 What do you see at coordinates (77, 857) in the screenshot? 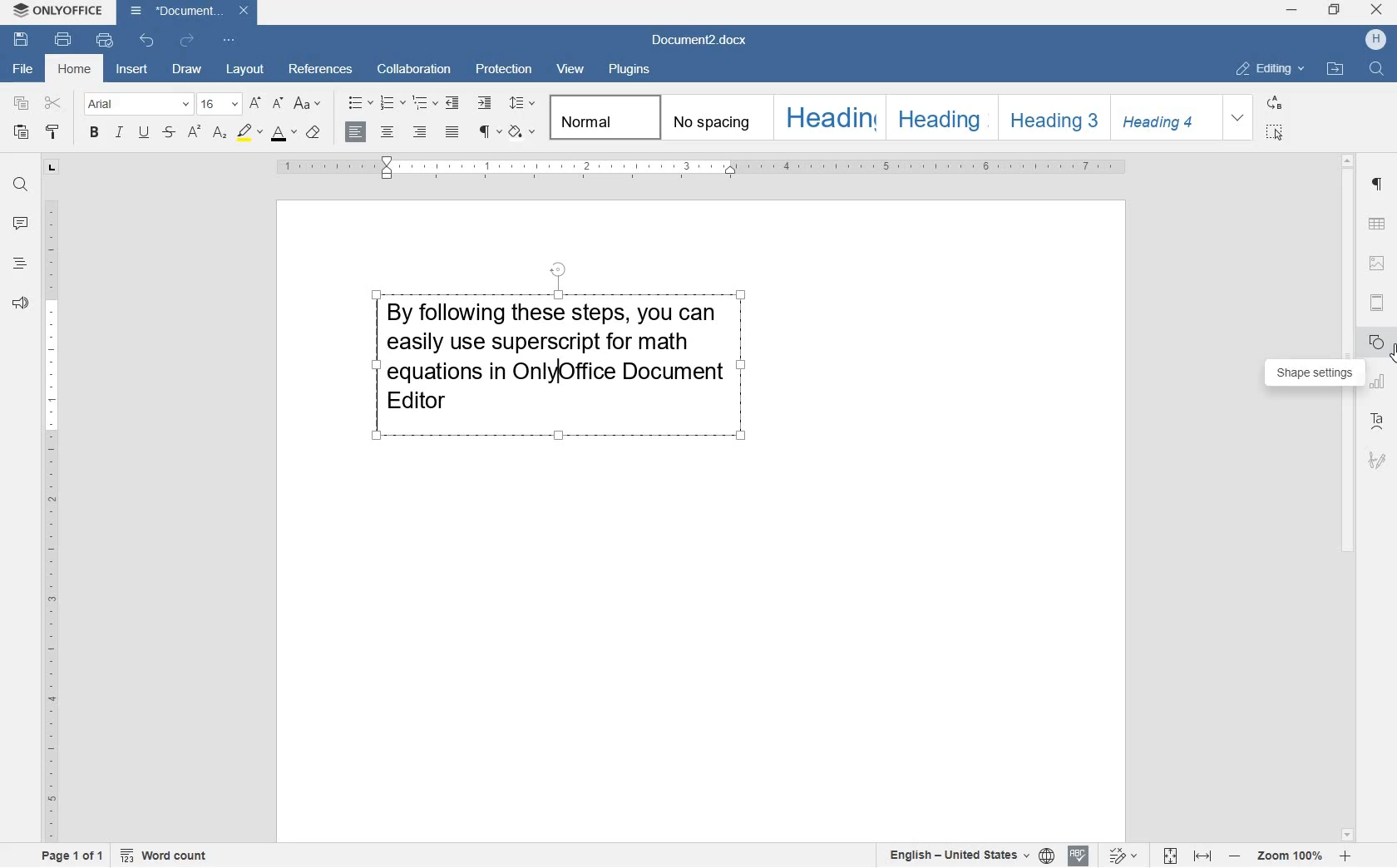
I see `page 1 of 1` at bounding box center [77, 857].